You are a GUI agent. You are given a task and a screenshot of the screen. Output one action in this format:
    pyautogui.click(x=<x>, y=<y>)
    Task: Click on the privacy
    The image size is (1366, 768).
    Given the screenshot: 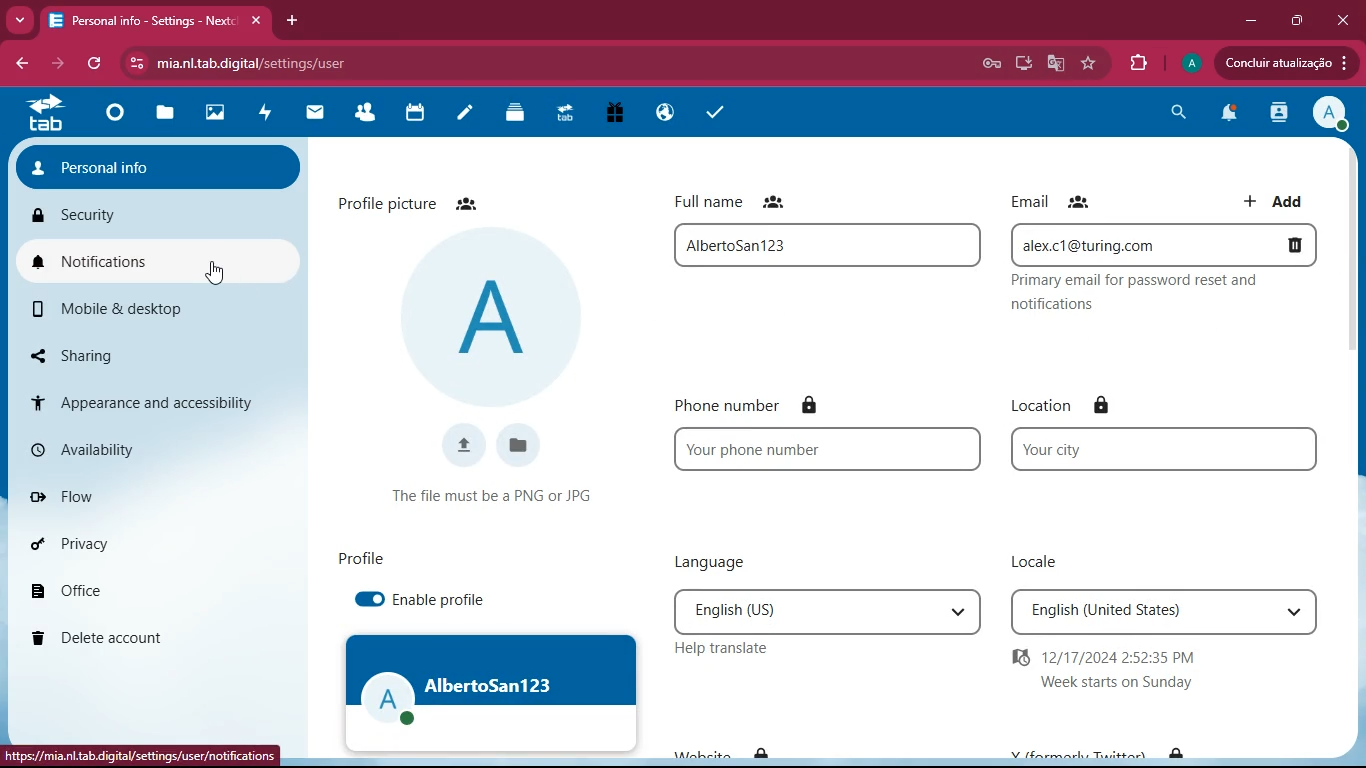 What is the action you would take?
    pyautogui.click(x=137, y=540)
    